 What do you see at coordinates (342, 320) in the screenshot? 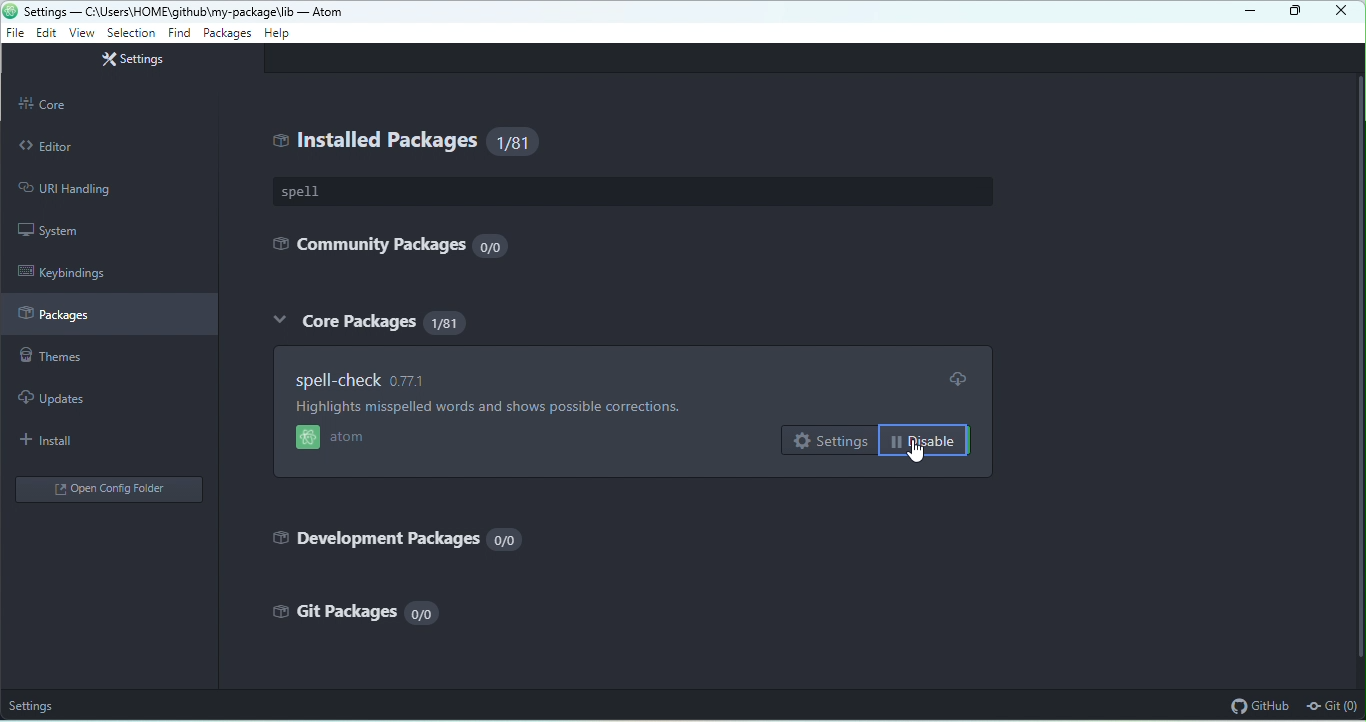
I see `core packages` at bounding box center [342, 320].